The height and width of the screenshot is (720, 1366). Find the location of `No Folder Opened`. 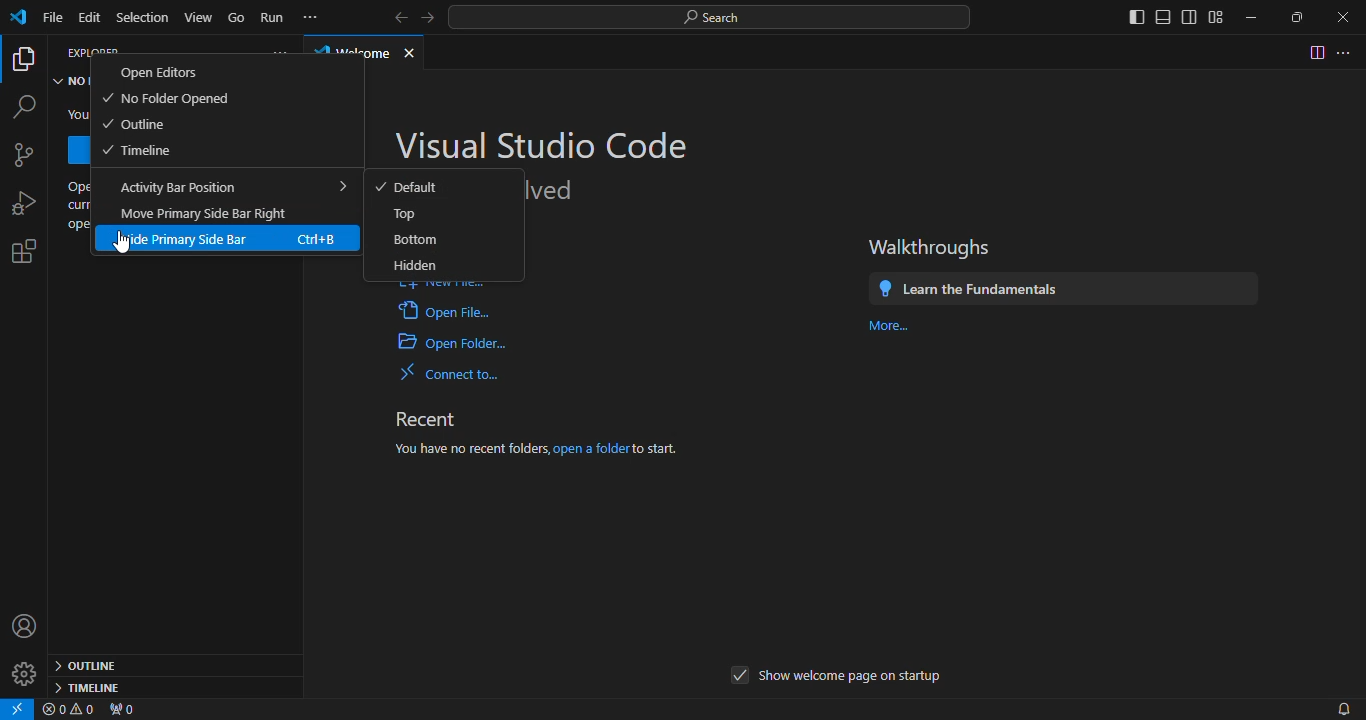

No Folder Opened is located at coordinates (164, 99).